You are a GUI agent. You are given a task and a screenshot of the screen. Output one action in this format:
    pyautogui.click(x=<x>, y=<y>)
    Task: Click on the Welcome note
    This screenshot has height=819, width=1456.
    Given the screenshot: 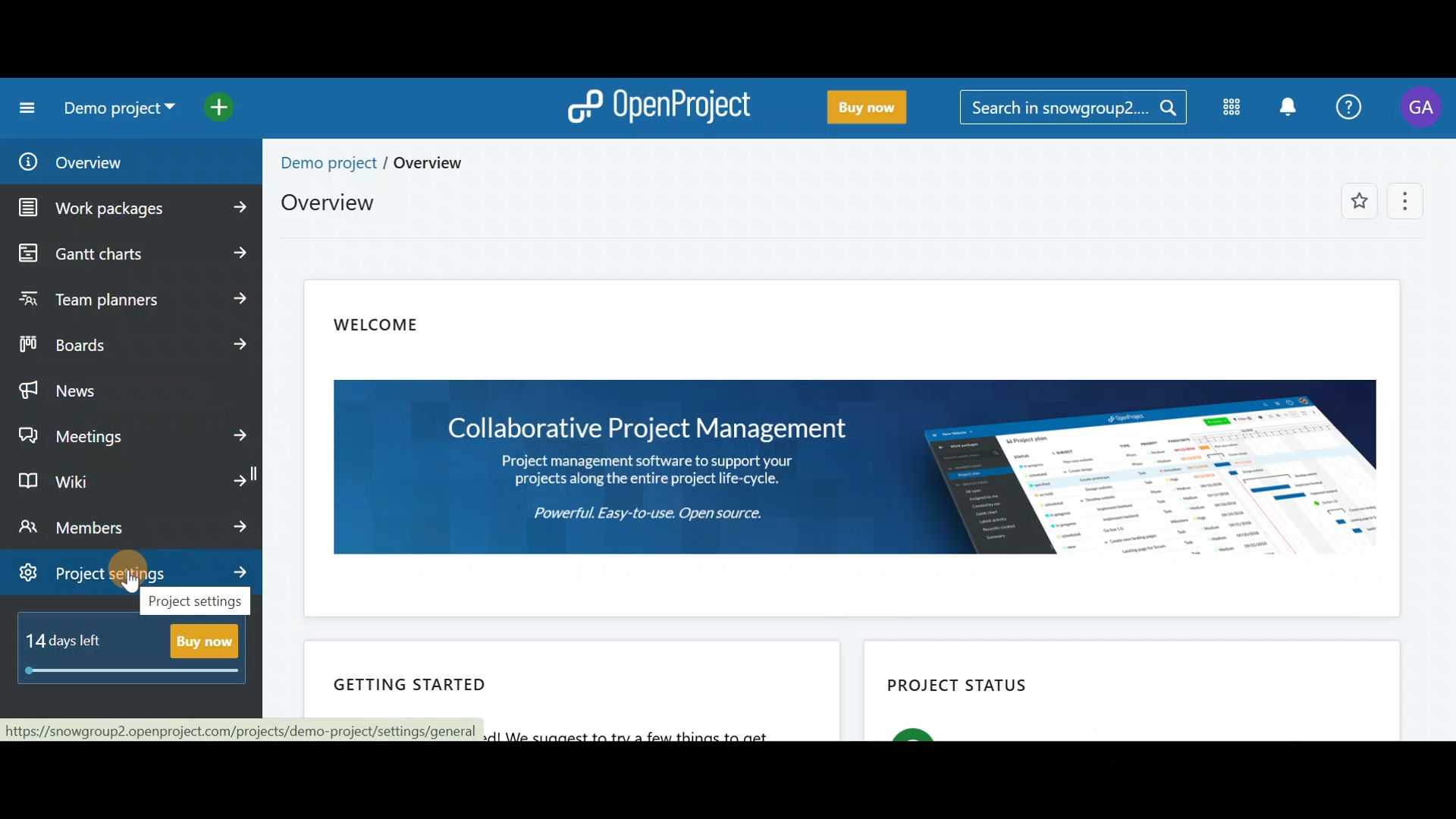 What is the action you would take?
    pyautogui.click(x=846, y=440)
    